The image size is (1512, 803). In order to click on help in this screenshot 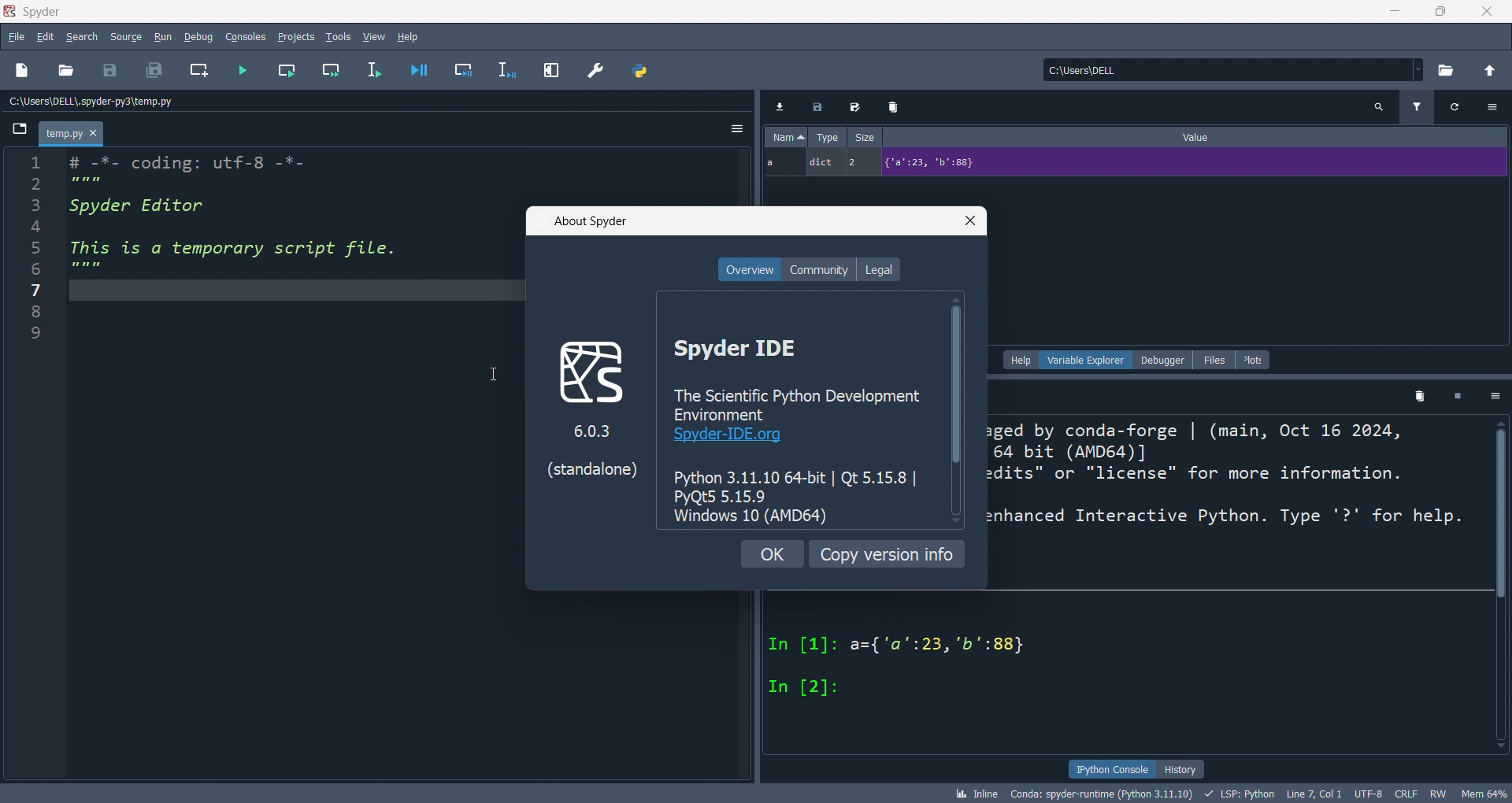, I will do `click(1021, 359)`.